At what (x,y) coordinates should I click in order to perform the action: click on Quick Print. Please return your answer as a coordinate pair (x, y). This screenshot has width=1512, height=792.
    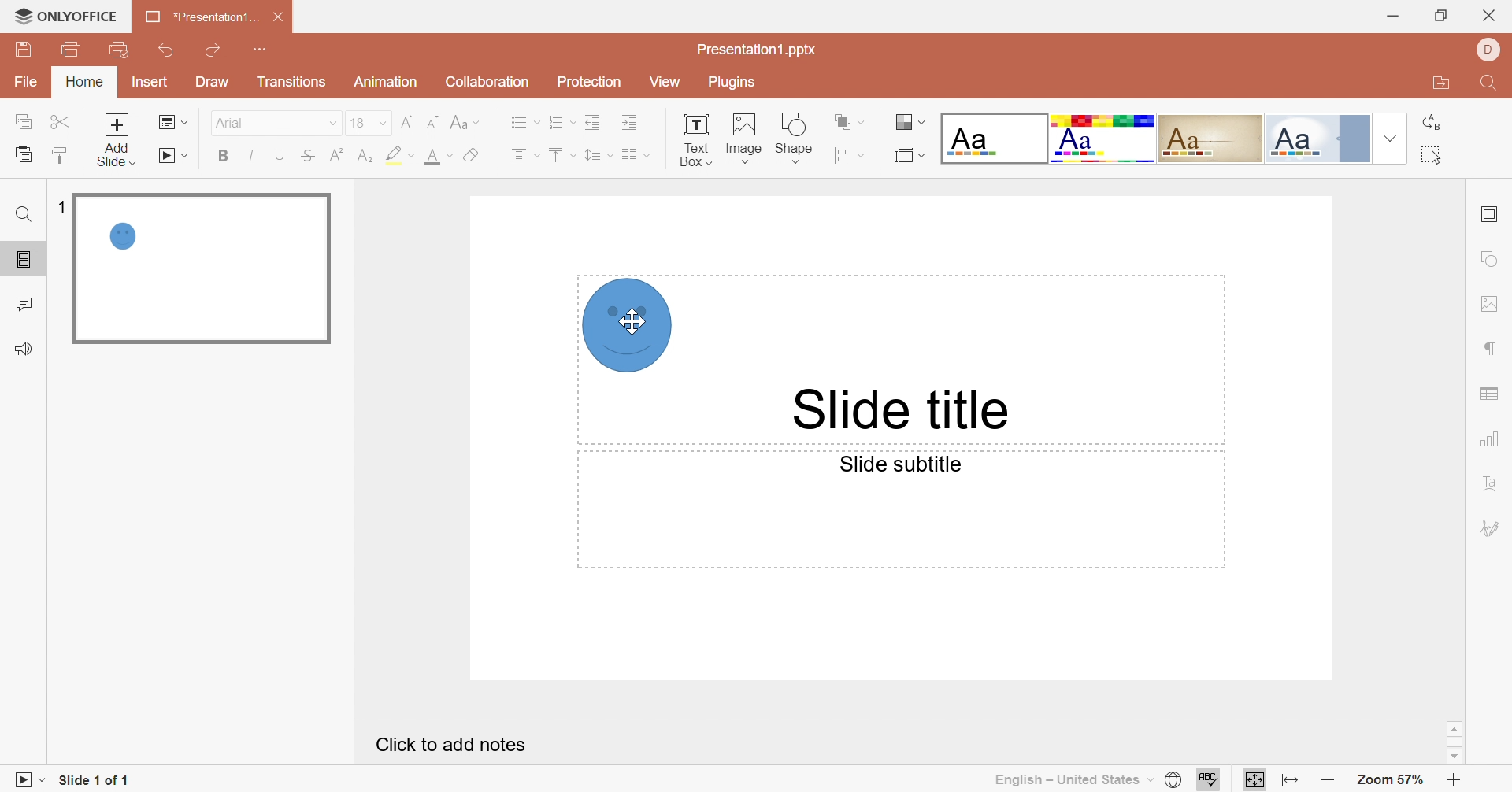
    Looking at the image, I should click on (117, 48).